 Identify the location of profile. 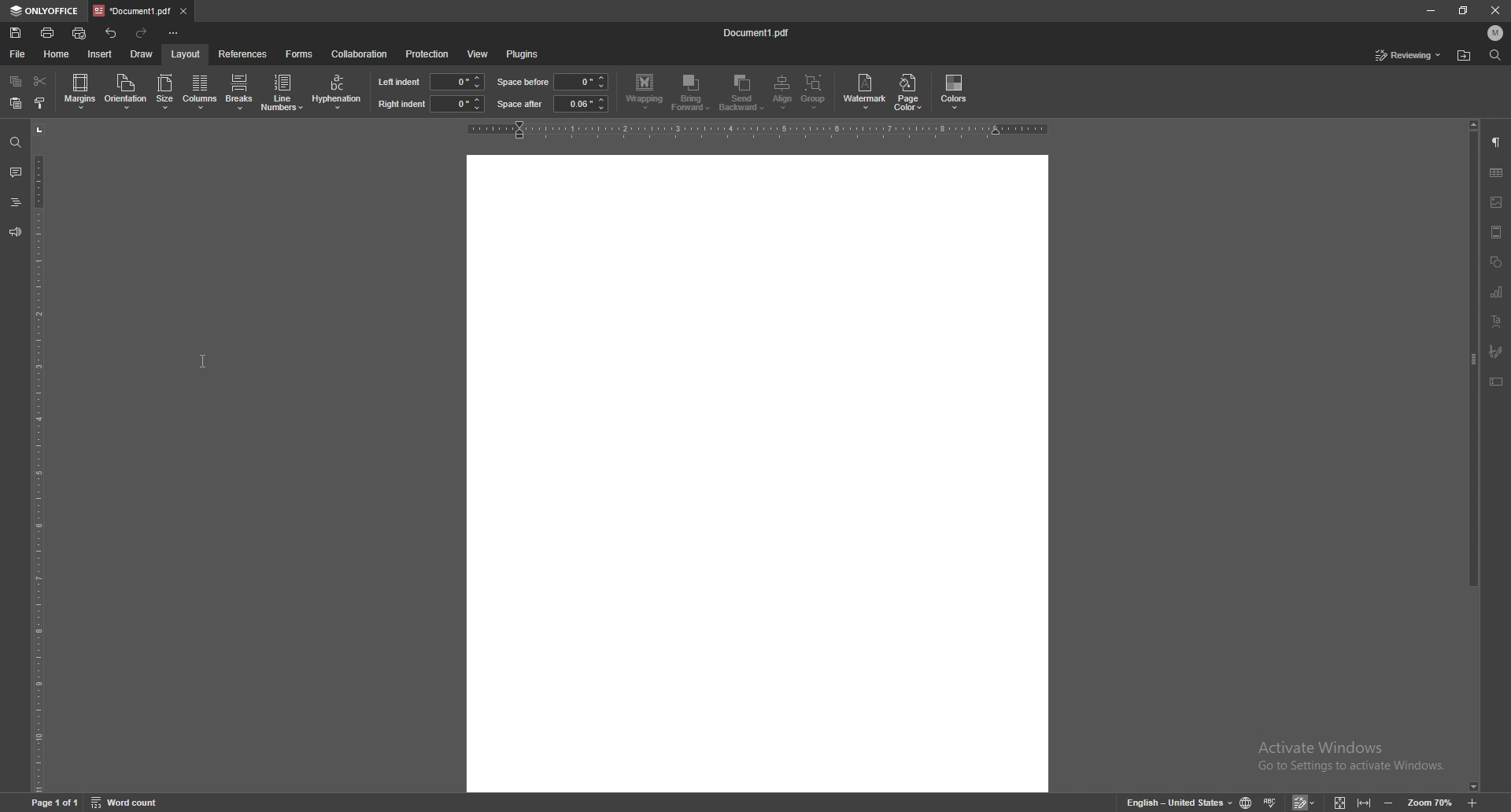
(1497, 32).